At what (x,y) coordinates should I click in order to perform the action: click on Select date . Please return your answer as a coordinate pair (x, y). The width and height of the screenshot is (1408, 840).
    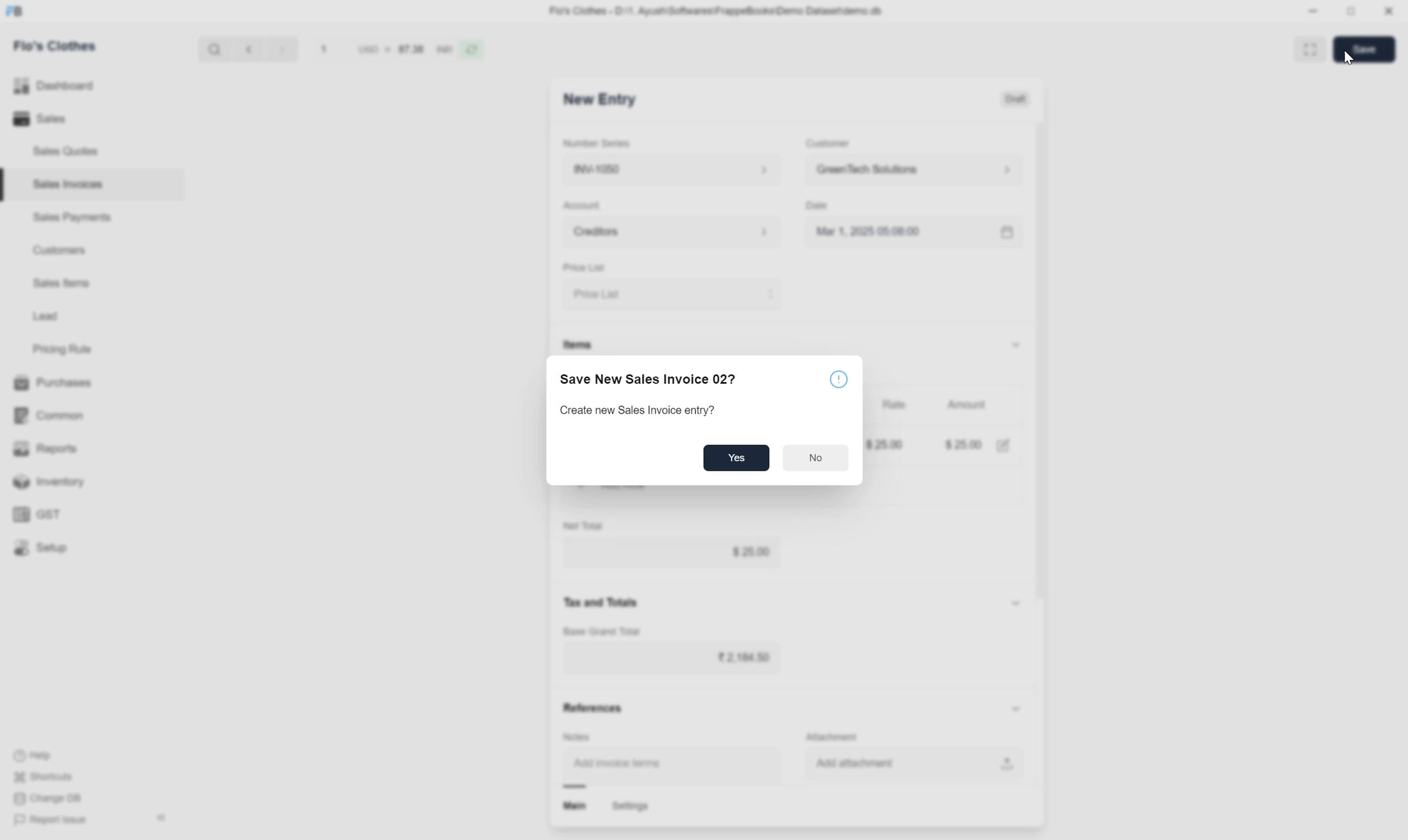
    Looking at the image, I should click on (914, 236).